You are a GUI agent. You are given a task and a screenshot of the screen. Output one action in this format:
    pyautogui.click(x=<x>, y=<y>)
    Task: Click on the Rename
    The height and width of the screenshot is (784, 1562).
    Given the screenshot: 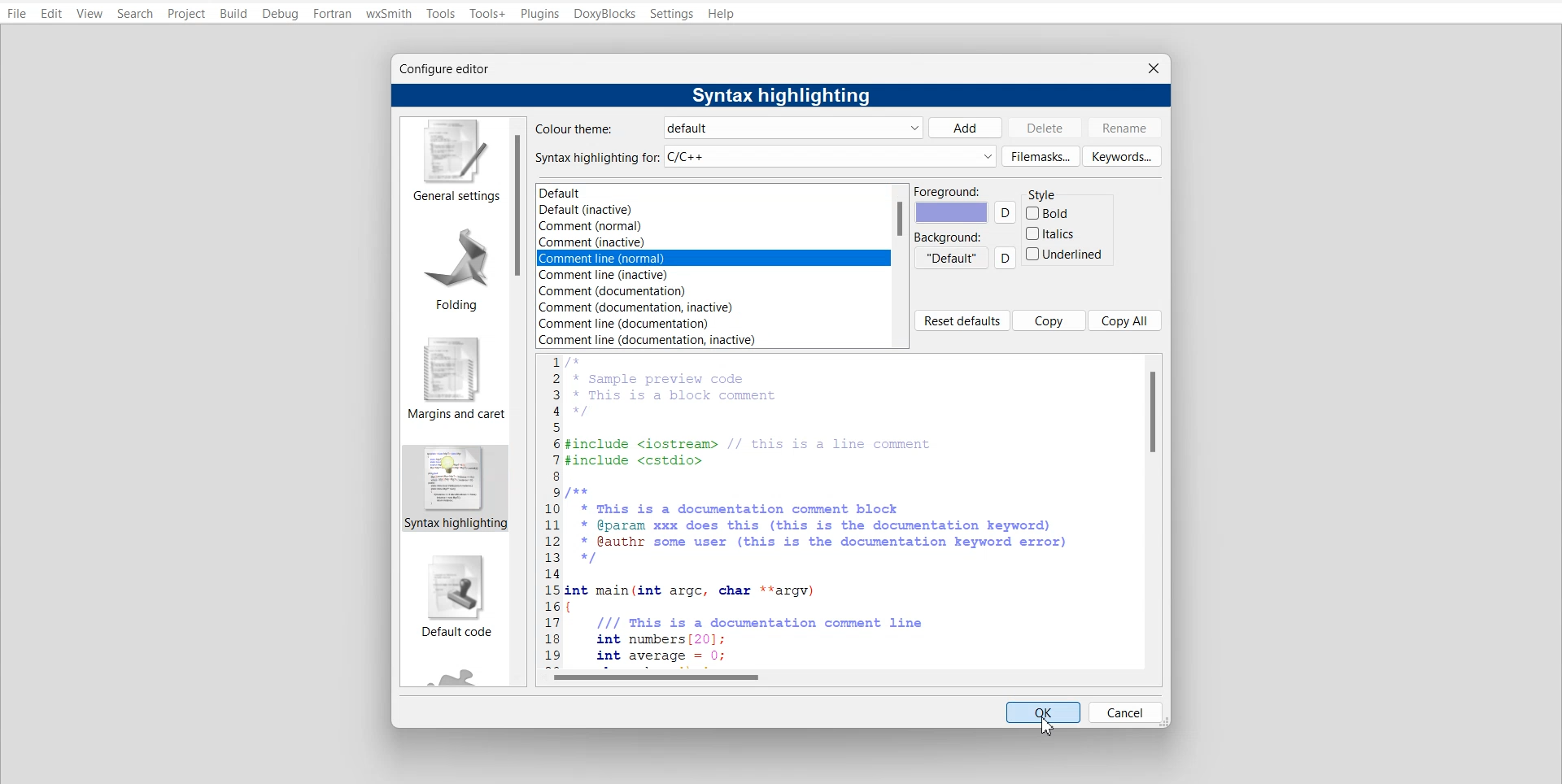 What is the action you would take?
    pyautogui.click(x=1128, y=127)
    